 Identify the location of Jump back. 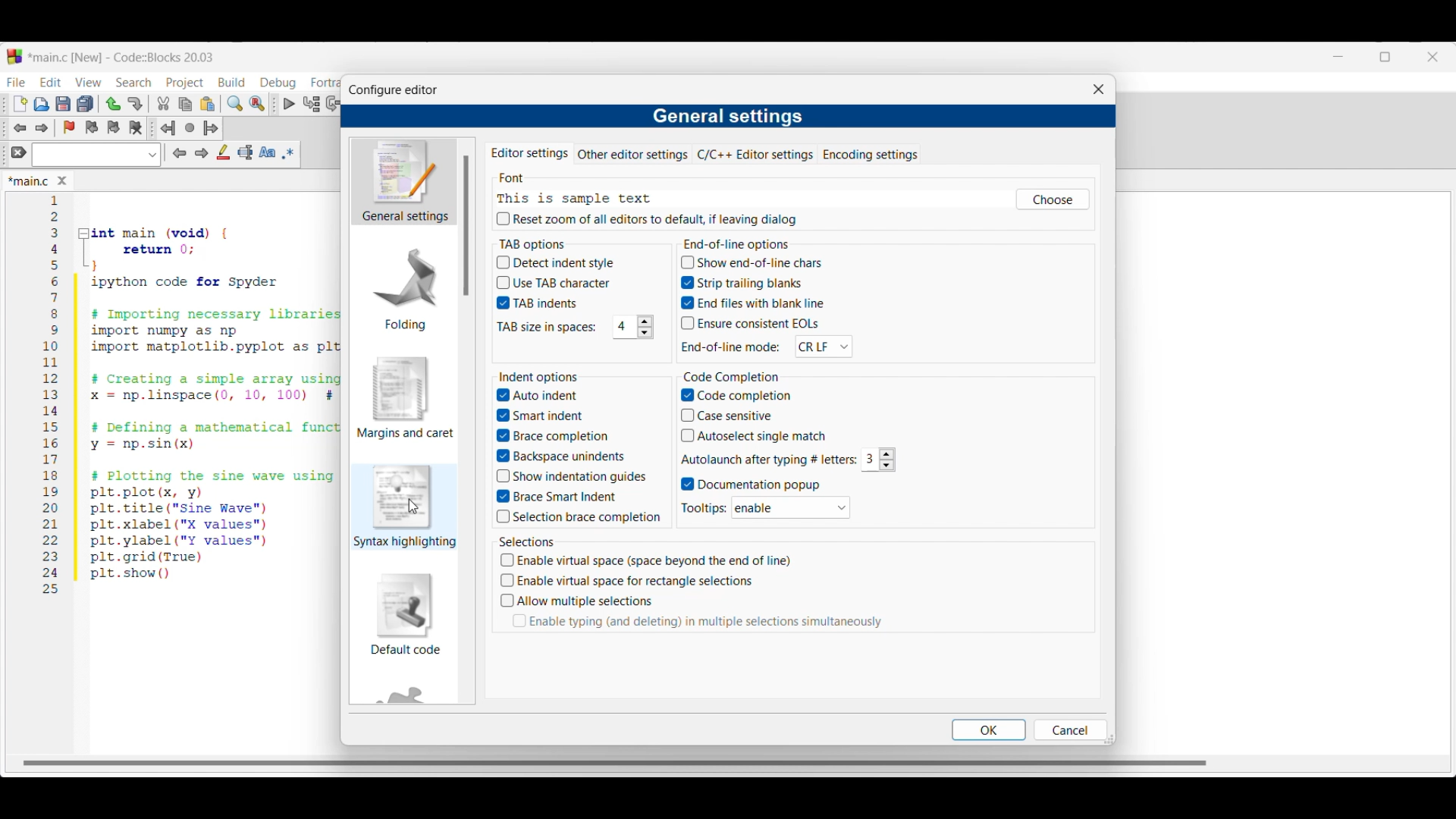
(168, 128).